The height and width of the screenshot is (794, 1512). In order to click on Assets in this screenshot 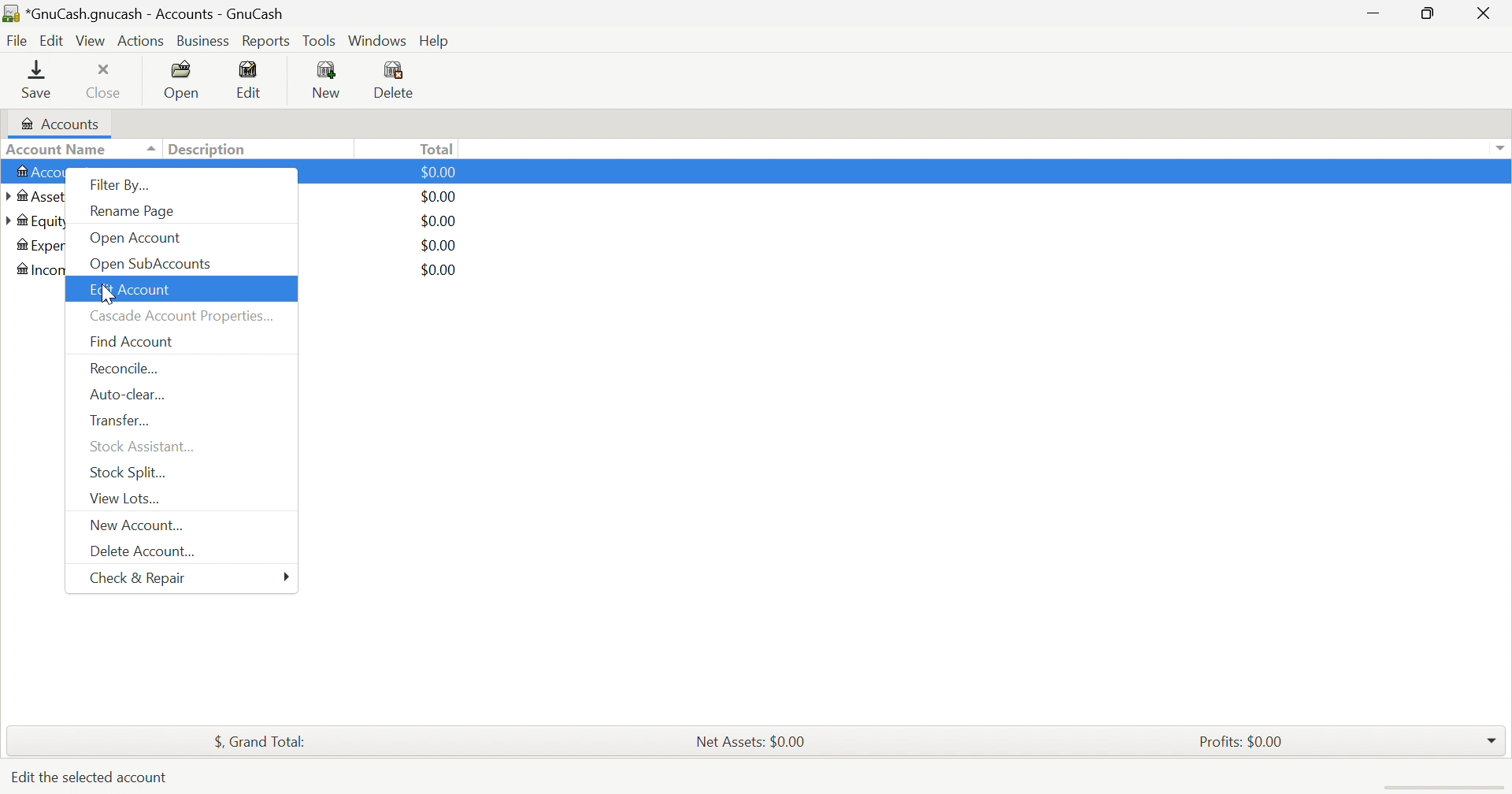, I will do `click(36, 196)`.